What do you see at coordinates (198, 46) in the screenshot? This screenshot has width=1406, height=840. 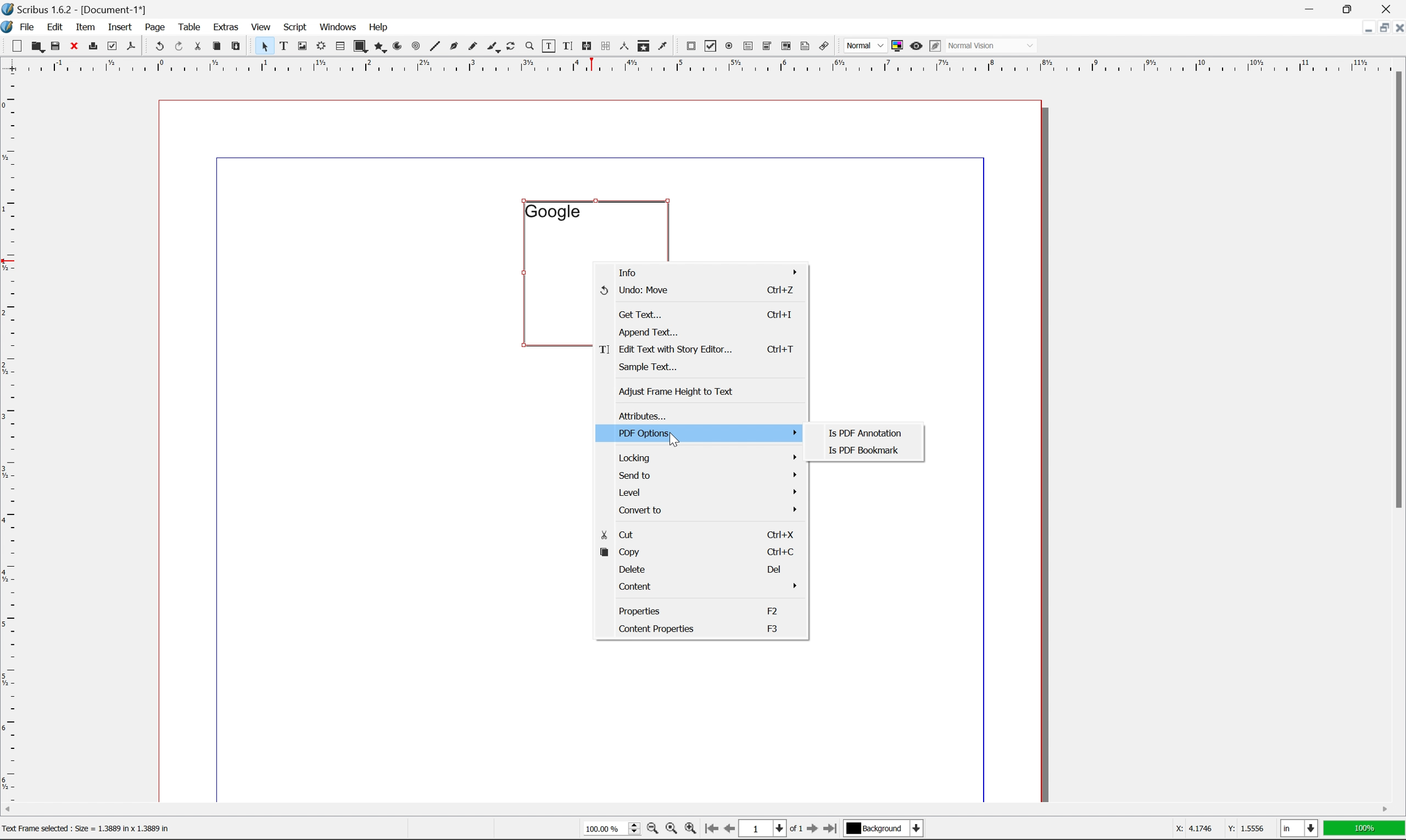 I see `cut` at bounding box center [198, 46].